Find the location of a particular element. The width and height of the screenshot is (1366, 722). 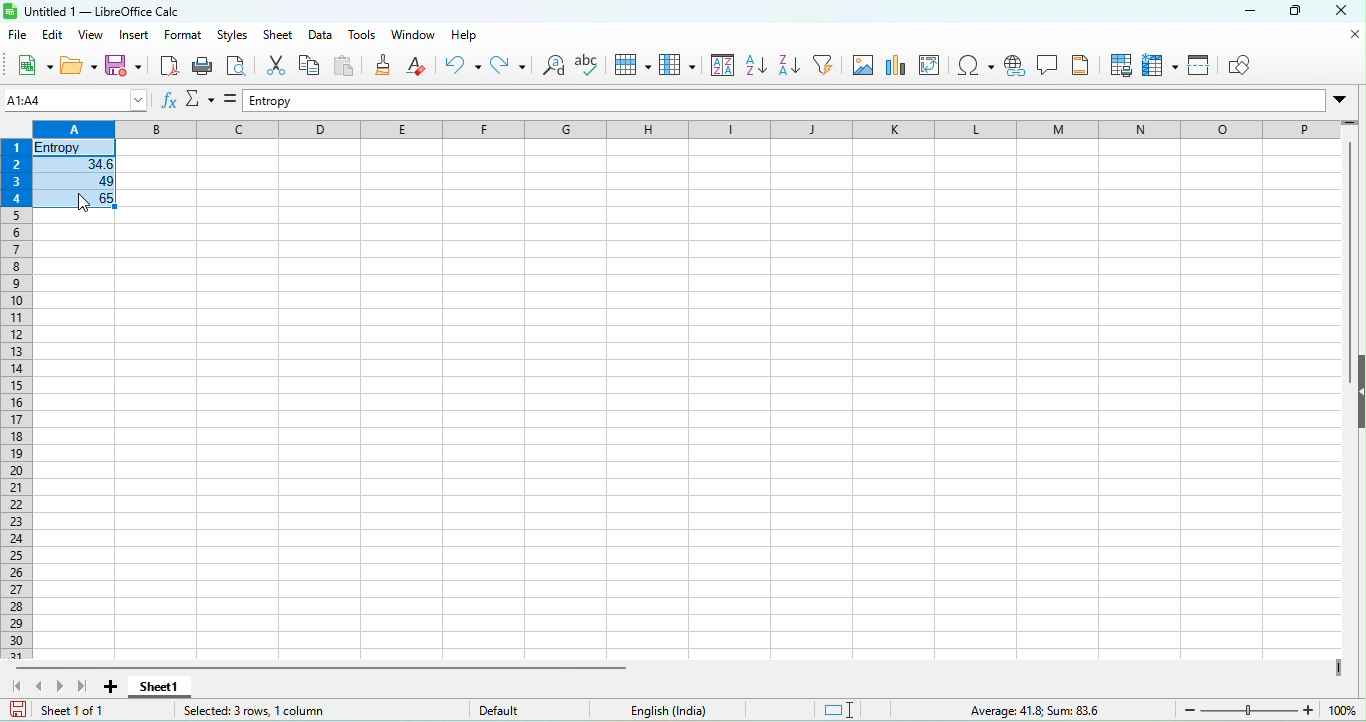

scroll to last sheet is located at coordinates (84, 686).